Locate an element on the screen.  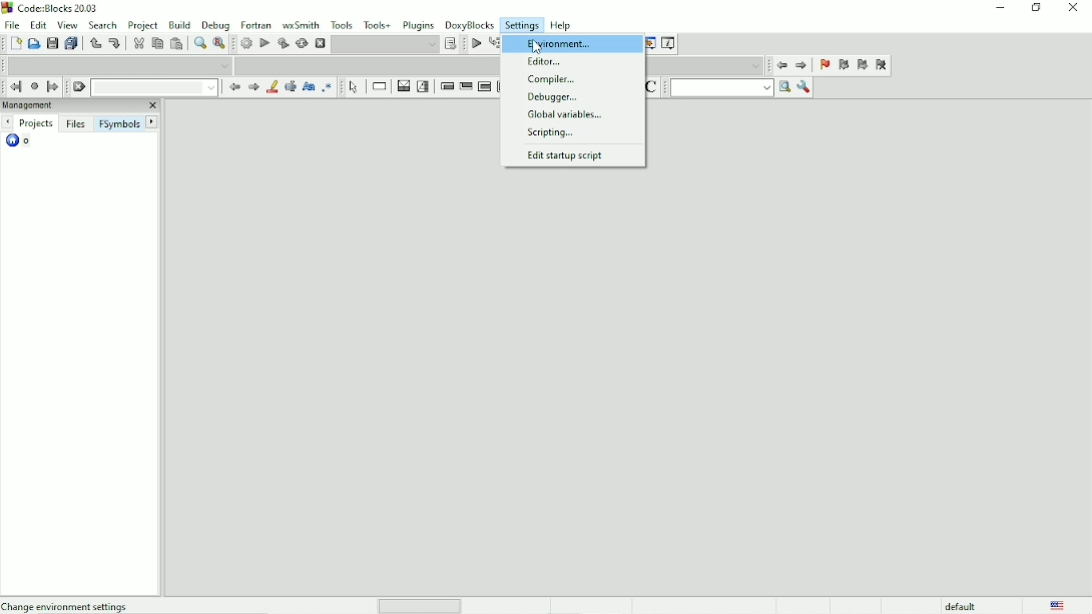
o is located at coordinates (27, 142).